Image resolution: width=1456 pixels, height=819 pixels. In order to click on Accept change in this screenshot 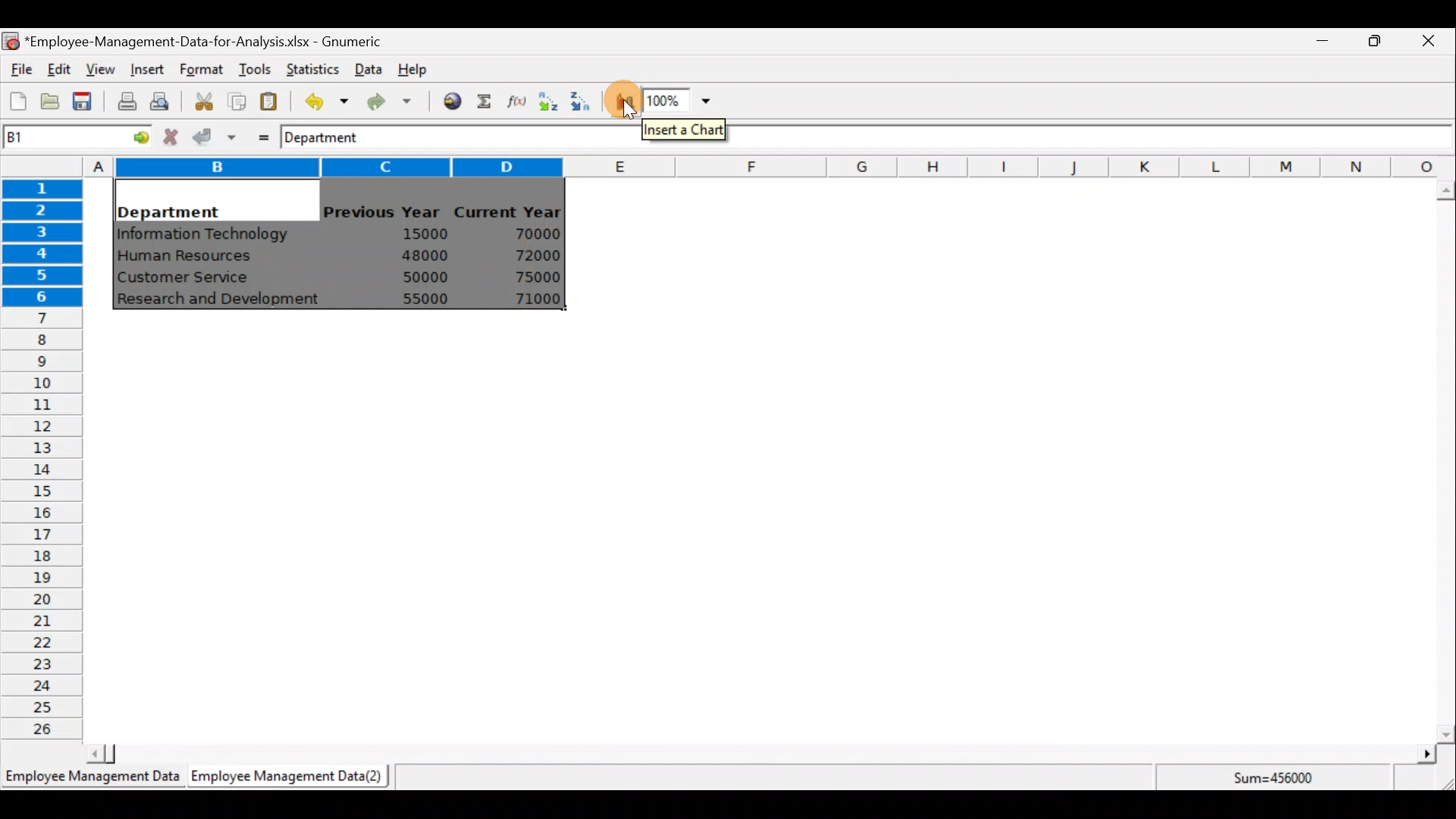, I will do `click(215, 136)`.